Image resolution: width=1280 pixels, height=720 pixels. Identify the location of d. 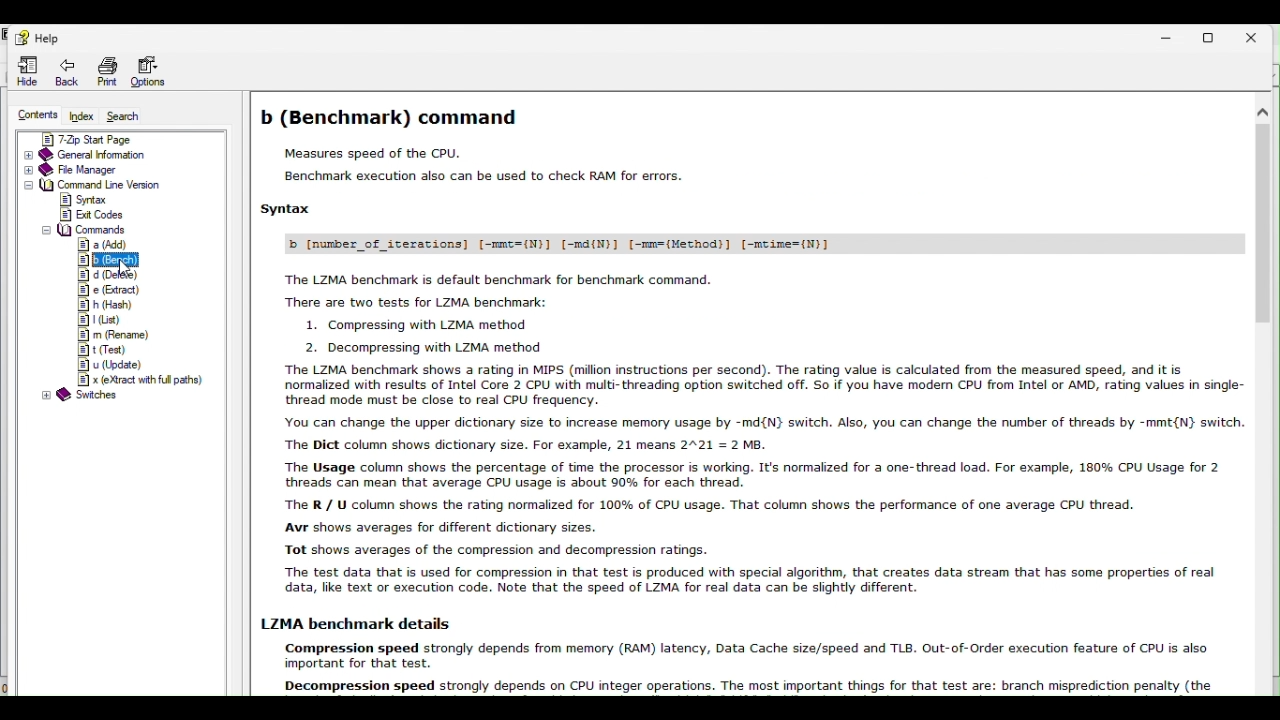
(107, 276).